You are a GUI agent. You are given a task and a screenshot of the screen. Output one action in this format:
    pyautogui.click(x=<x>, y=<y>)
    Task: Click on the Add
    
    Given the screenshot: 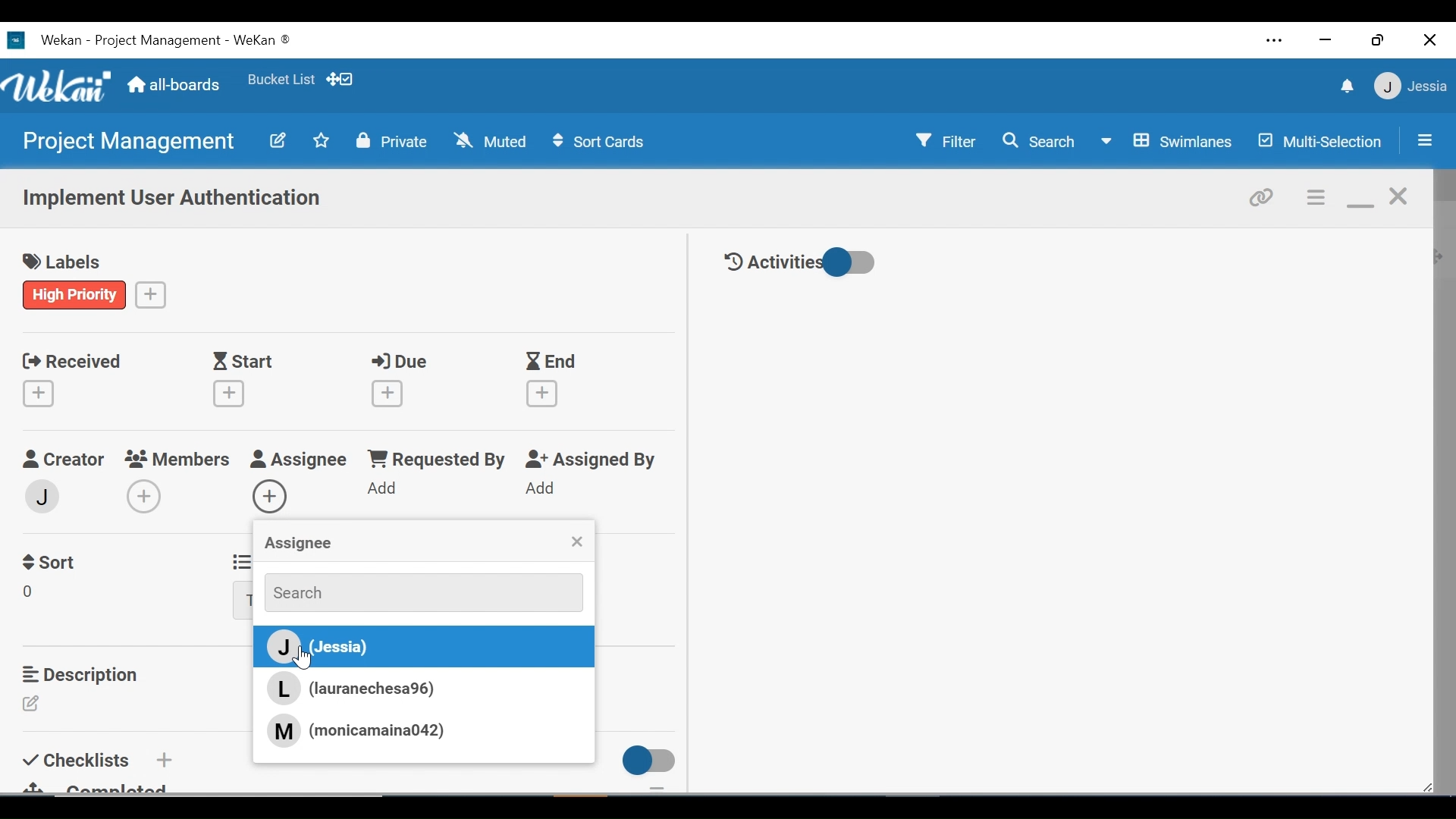 What is the action you would take?
    pyautogui.click(x=384, y=489)
    